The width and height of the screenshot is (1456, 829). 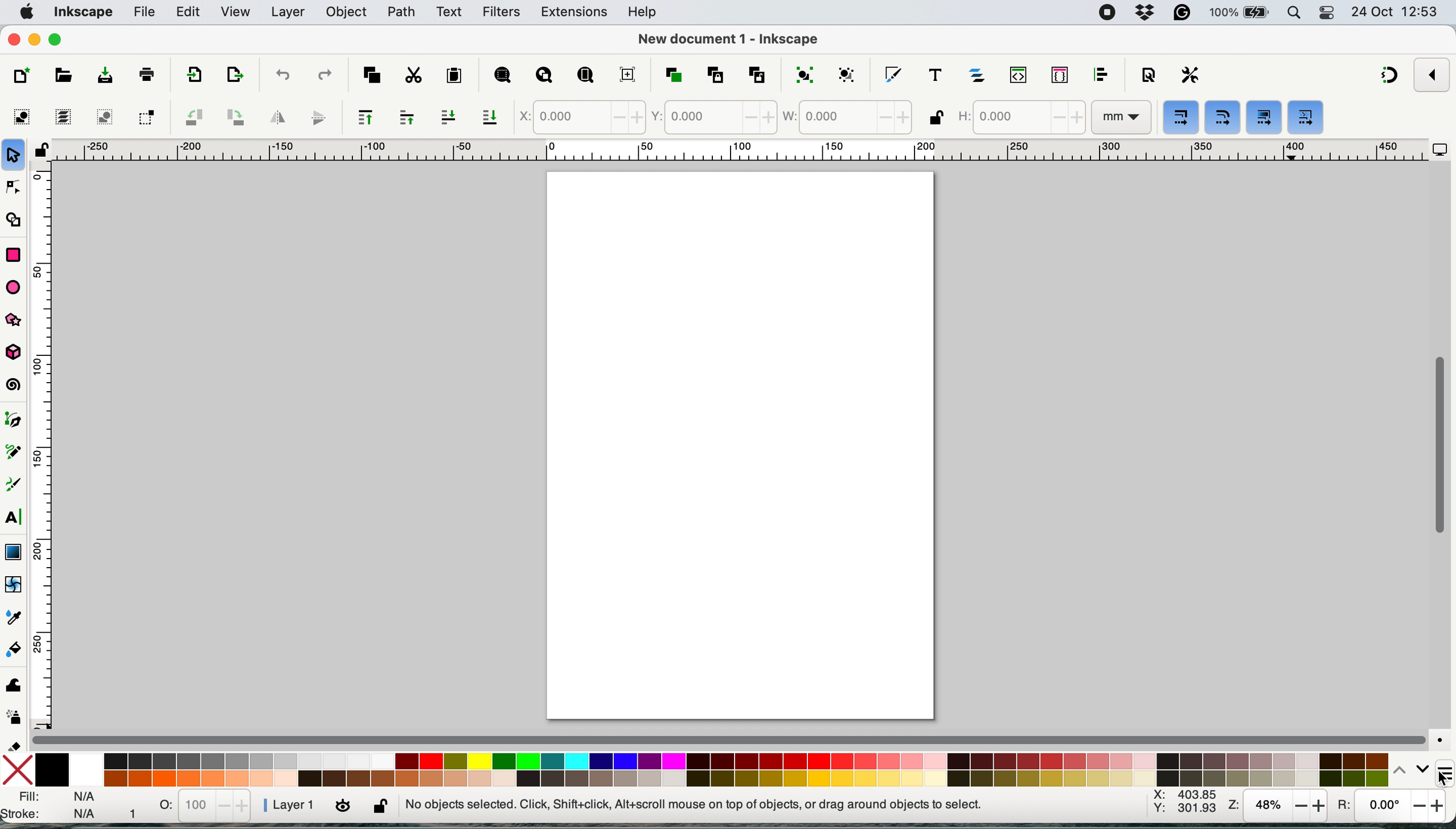 What do you see at coordinates (1059, 76) in the screenshot?
I see `selectors and css` at bounding box center [1059, 76].